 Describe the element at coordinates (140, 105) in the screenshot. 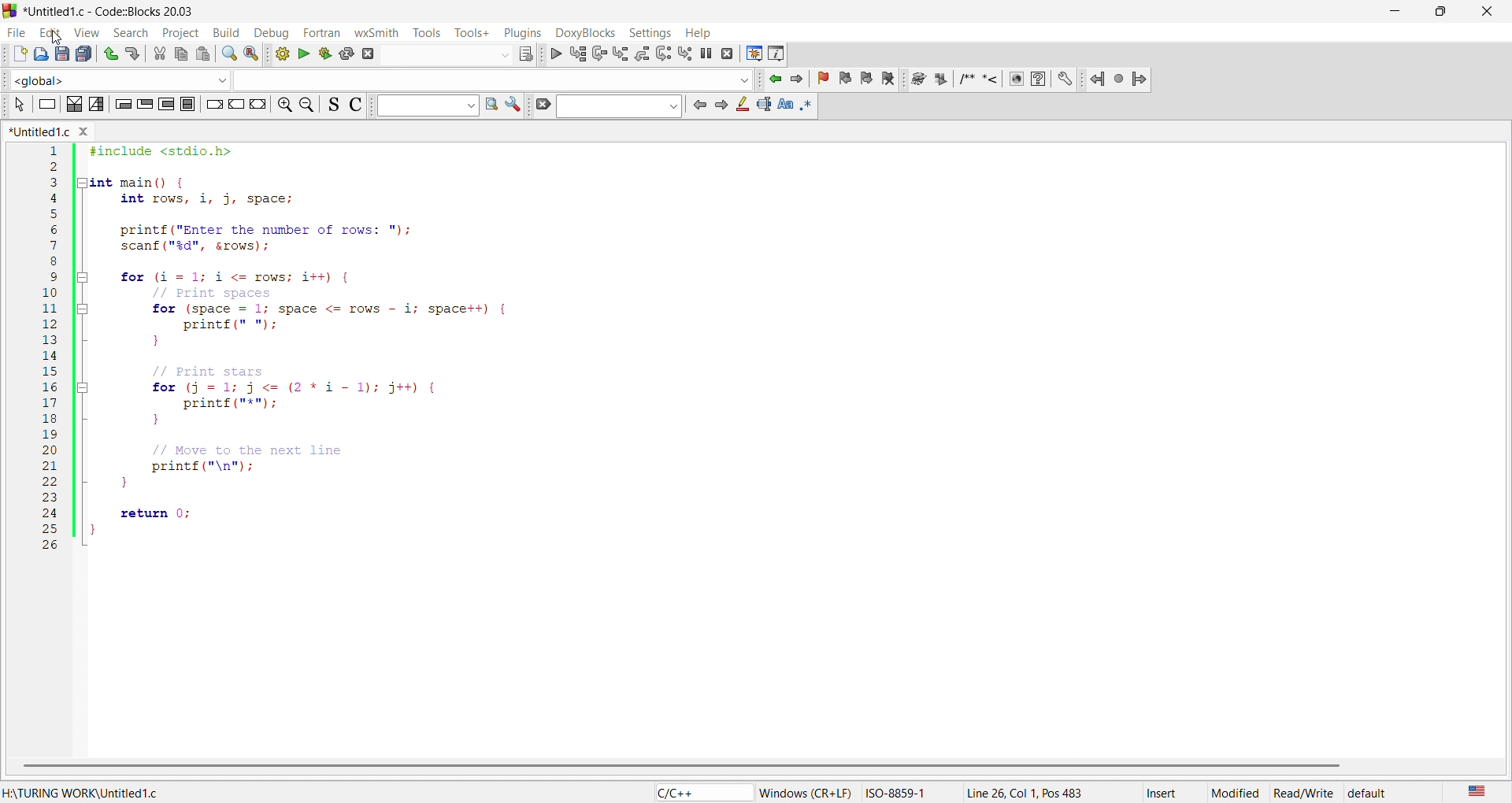

I see `icon` at that location.